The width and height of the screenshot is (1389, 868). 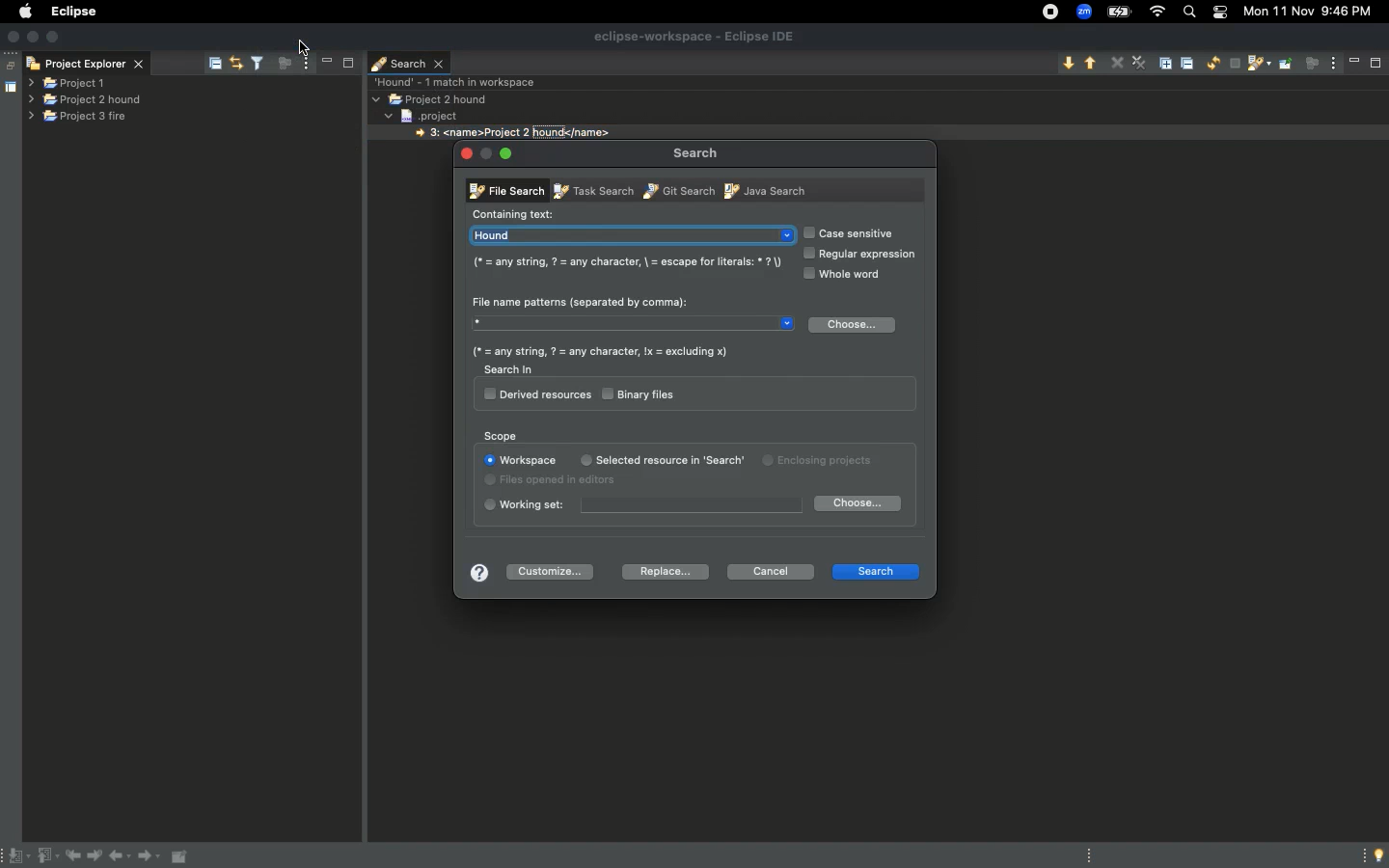 What do you see at coordinates (559, 481) in the screenshot?
I see `Files opened in editors` at bounding box center [559, 481].